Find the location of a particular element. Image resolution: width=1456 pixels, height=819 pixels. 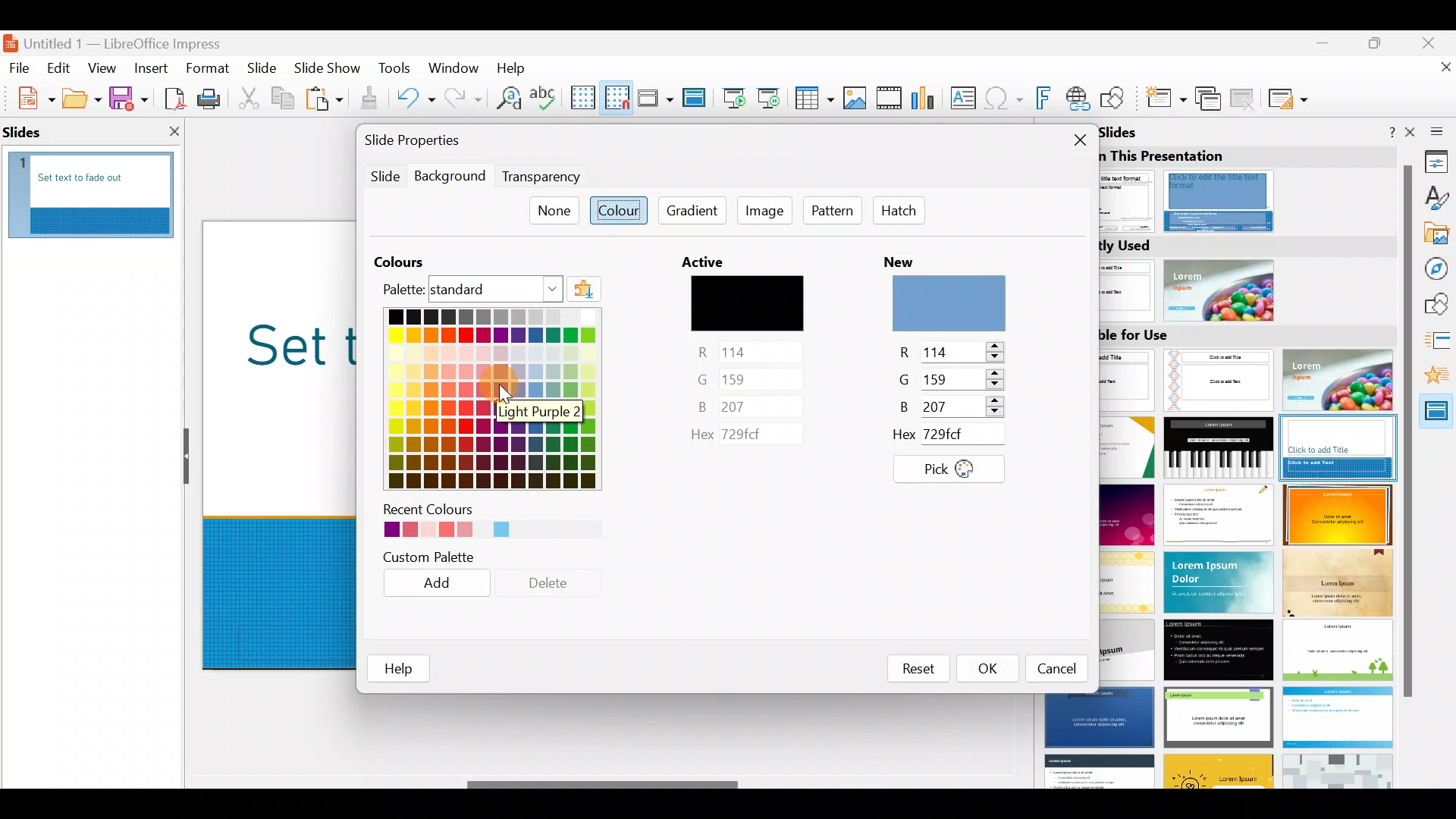

red is located at coordinates (749, 350).